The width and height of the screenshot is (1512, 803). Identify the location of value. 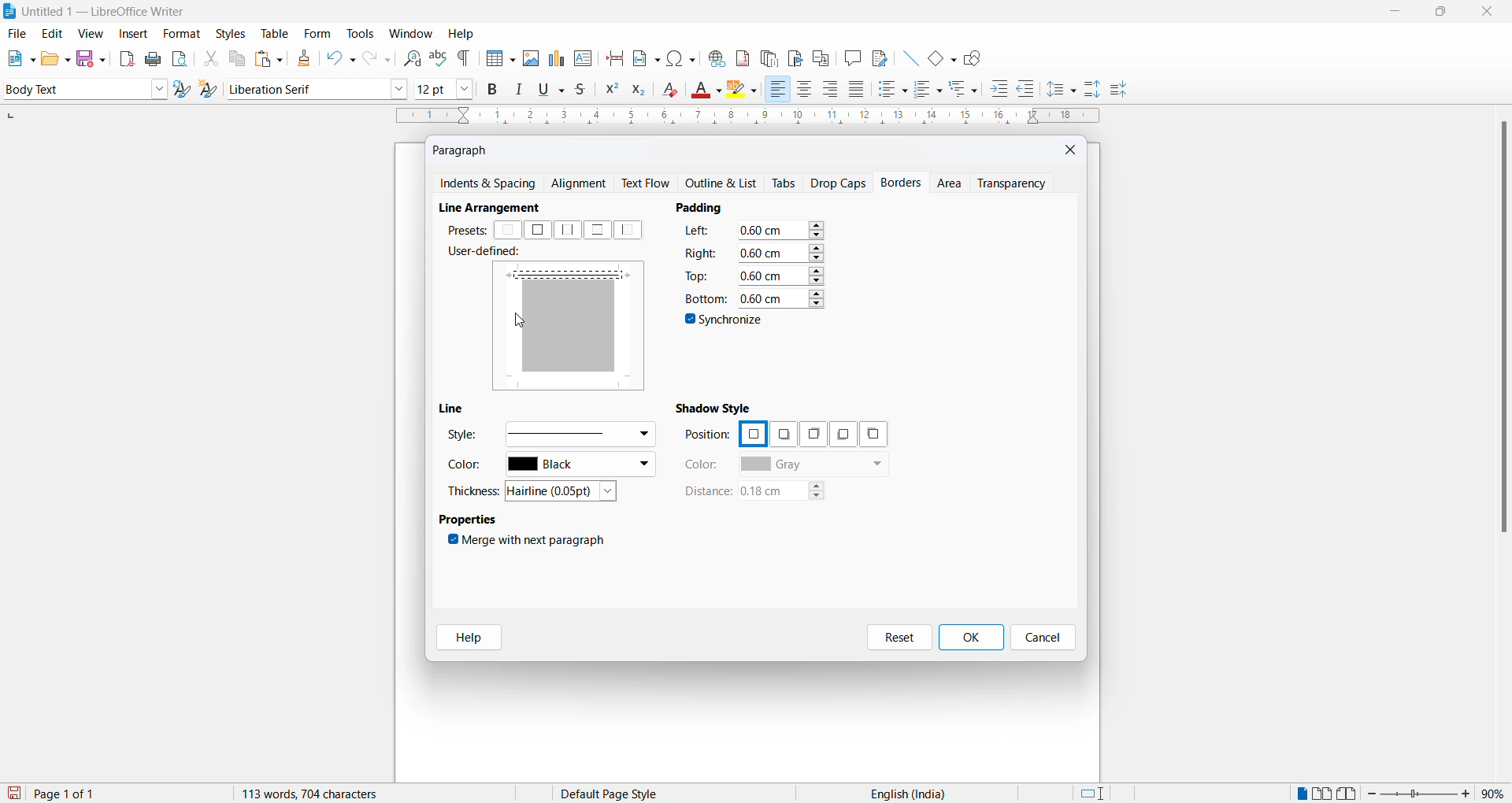
(781, 274).